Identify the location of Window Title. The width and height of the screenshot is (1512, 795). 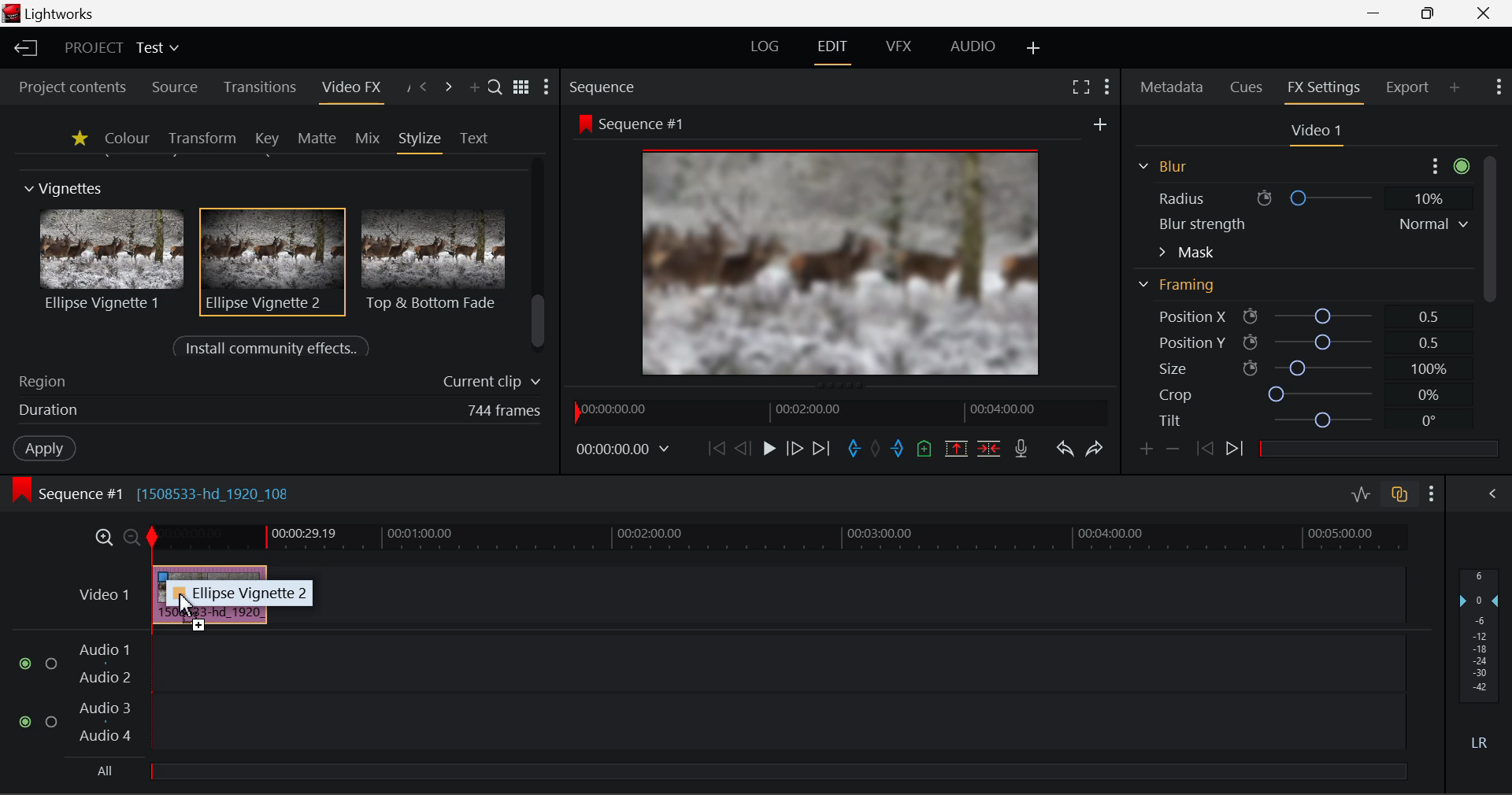
(54, 14).